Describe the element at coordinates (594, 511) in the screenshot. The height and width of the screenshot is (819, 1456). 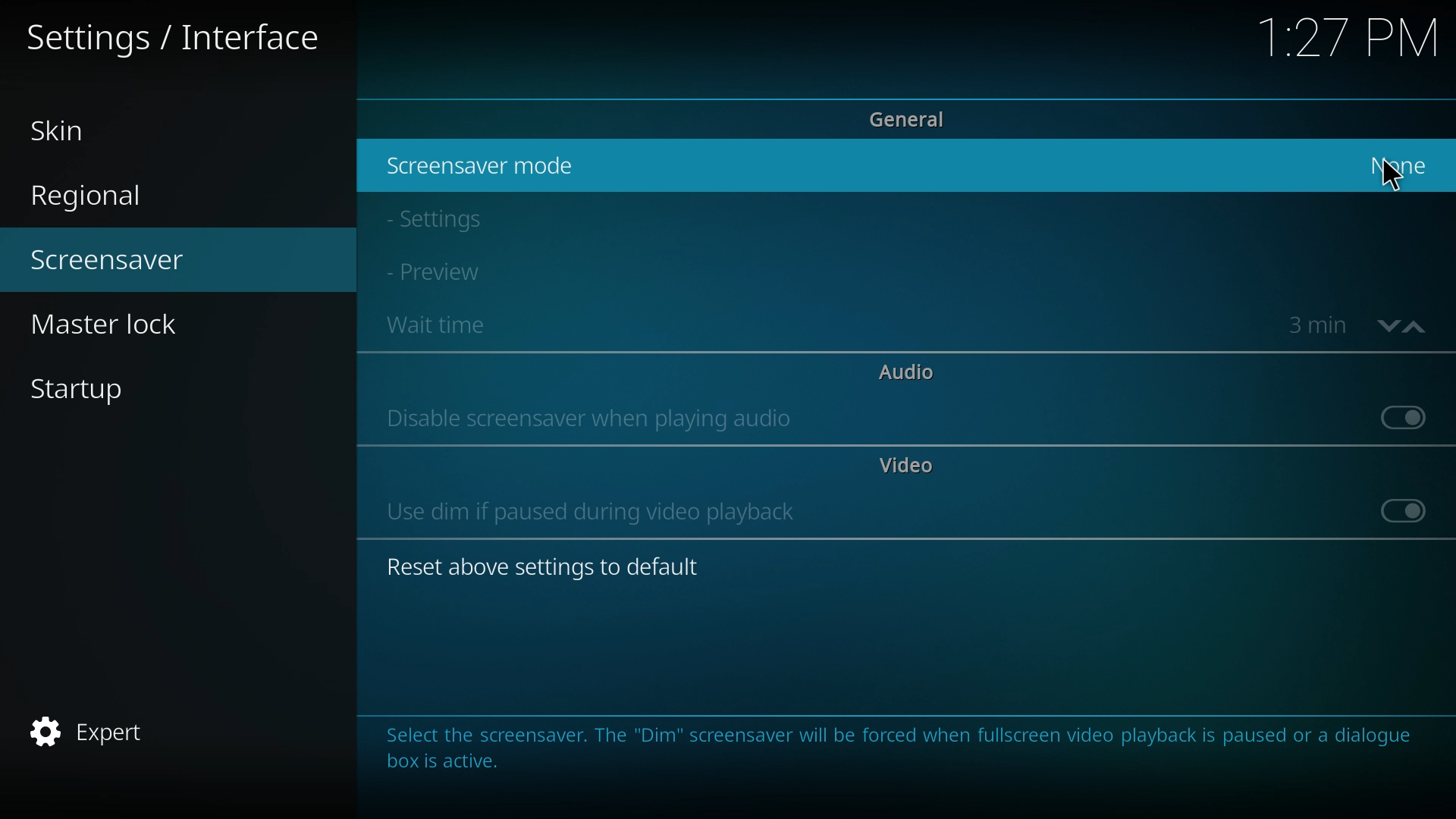
I see `use dim if paused during video playback` at that location.